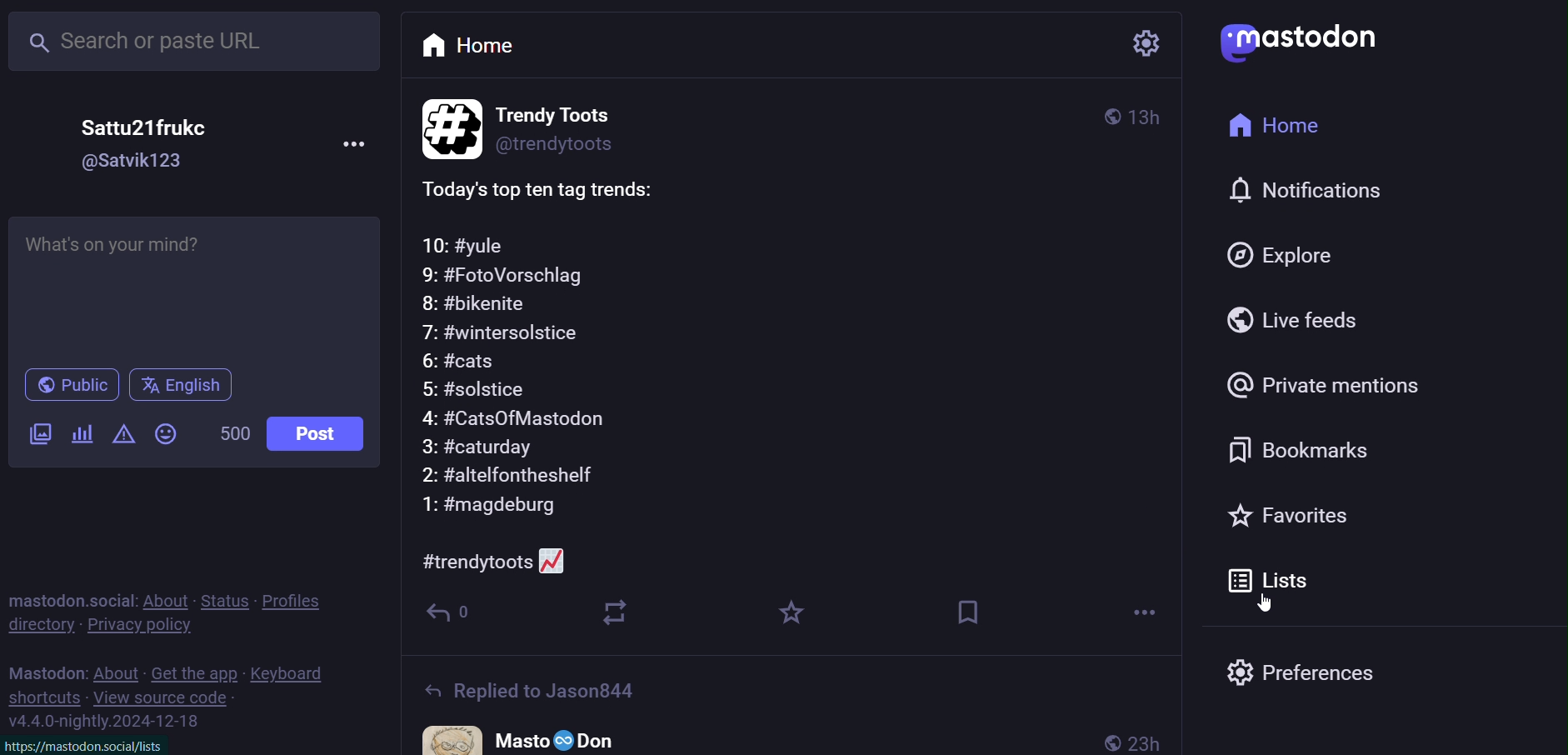  What do you see at coordinates (1301, 516) in the screenshot?
I see `favorite` at bounding box center [1301, 516].